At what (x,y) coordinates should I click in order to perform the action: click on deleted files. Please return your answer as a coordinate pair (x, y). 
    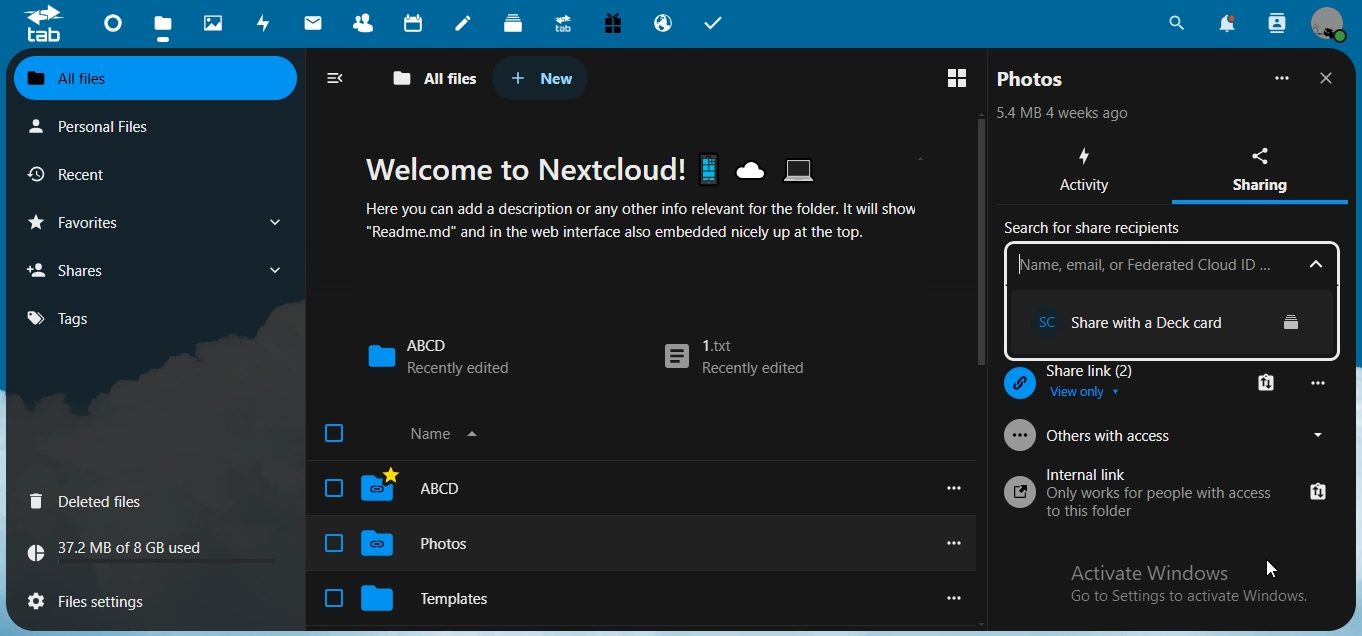
    Looking at the image, I should click on (91, 503).